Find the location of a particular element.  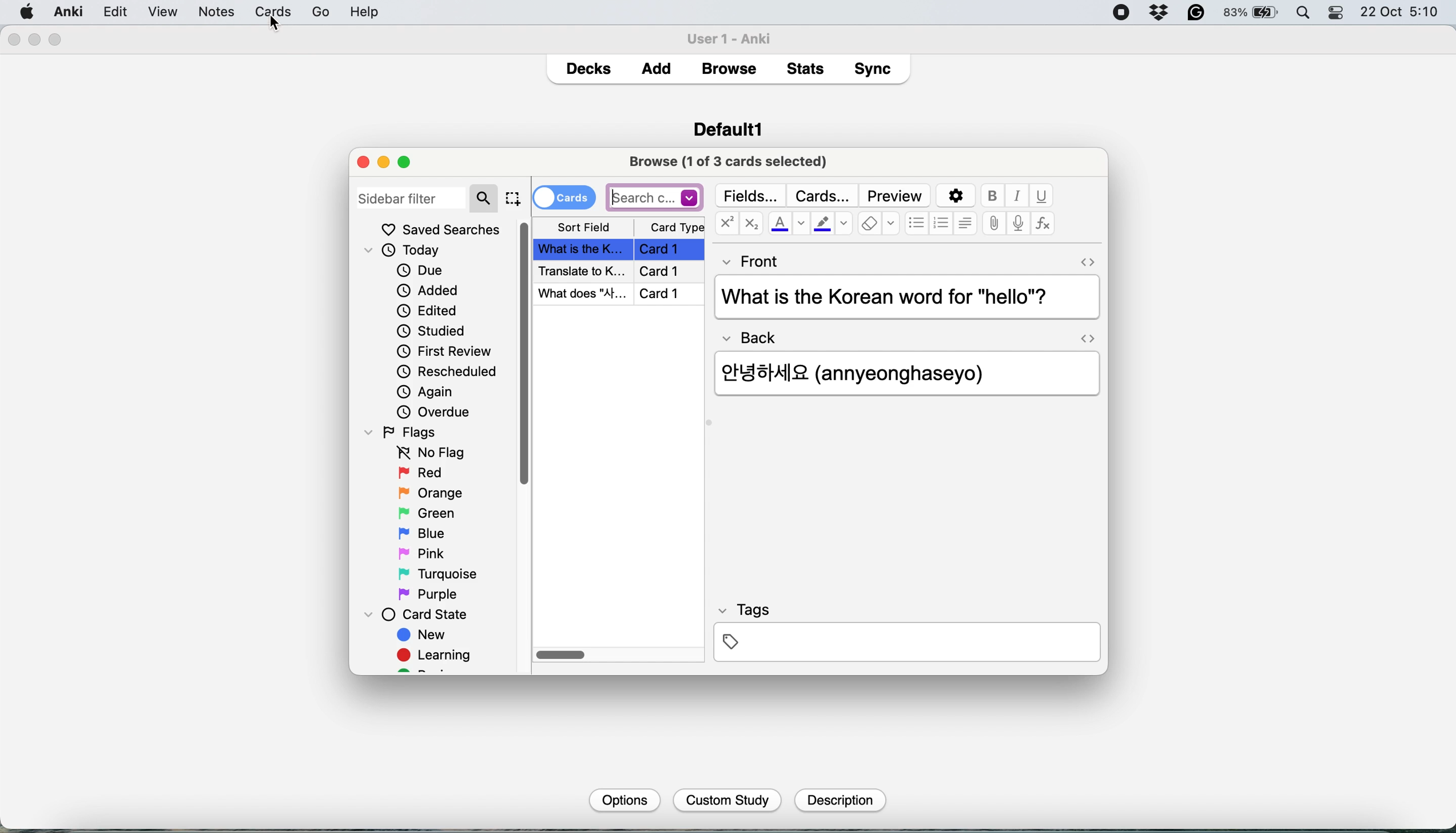

minimise is located at coordinates (383, 162).